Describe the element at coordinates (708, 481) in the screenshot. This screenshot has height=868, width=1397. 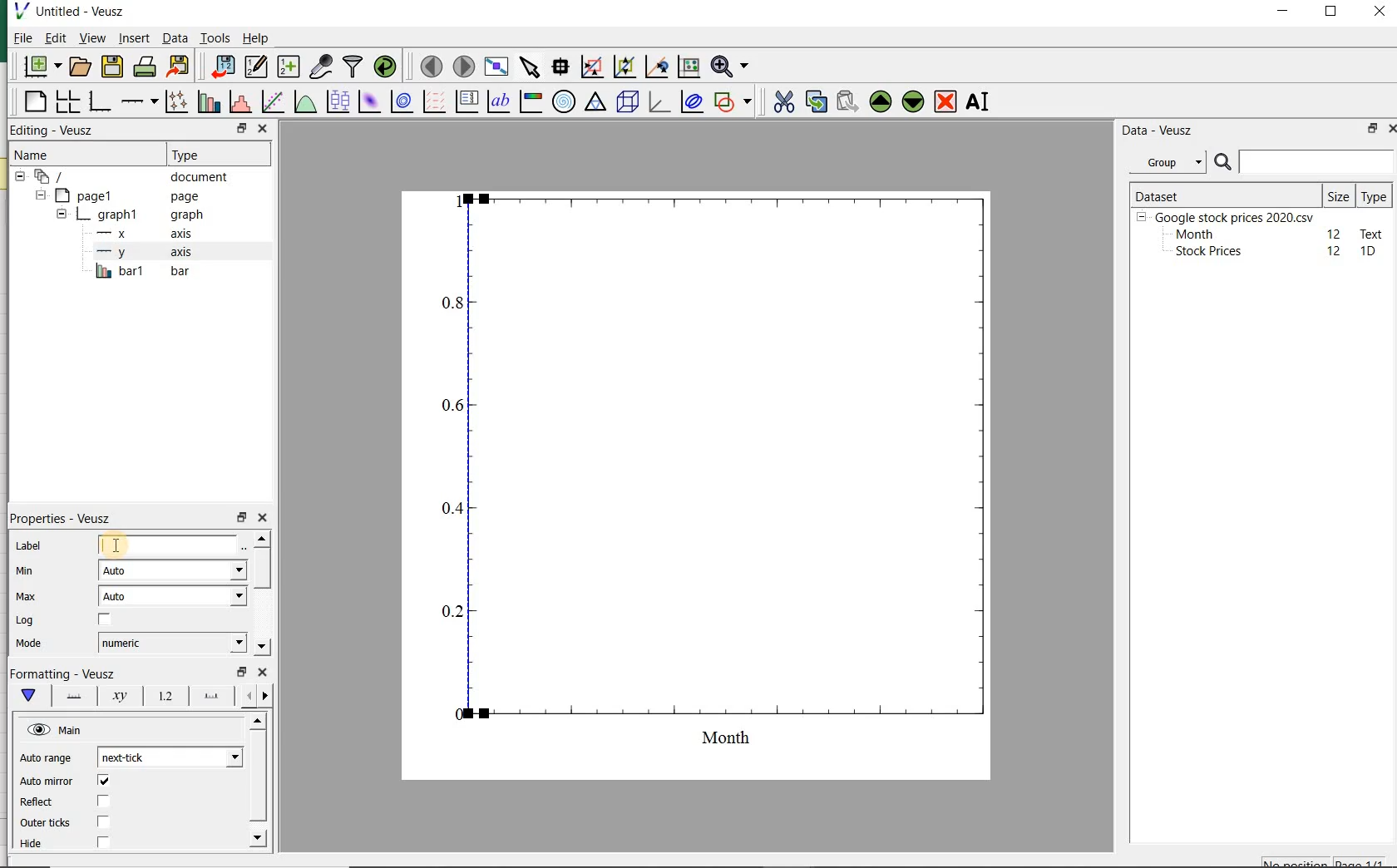
I see `graph` at that location.